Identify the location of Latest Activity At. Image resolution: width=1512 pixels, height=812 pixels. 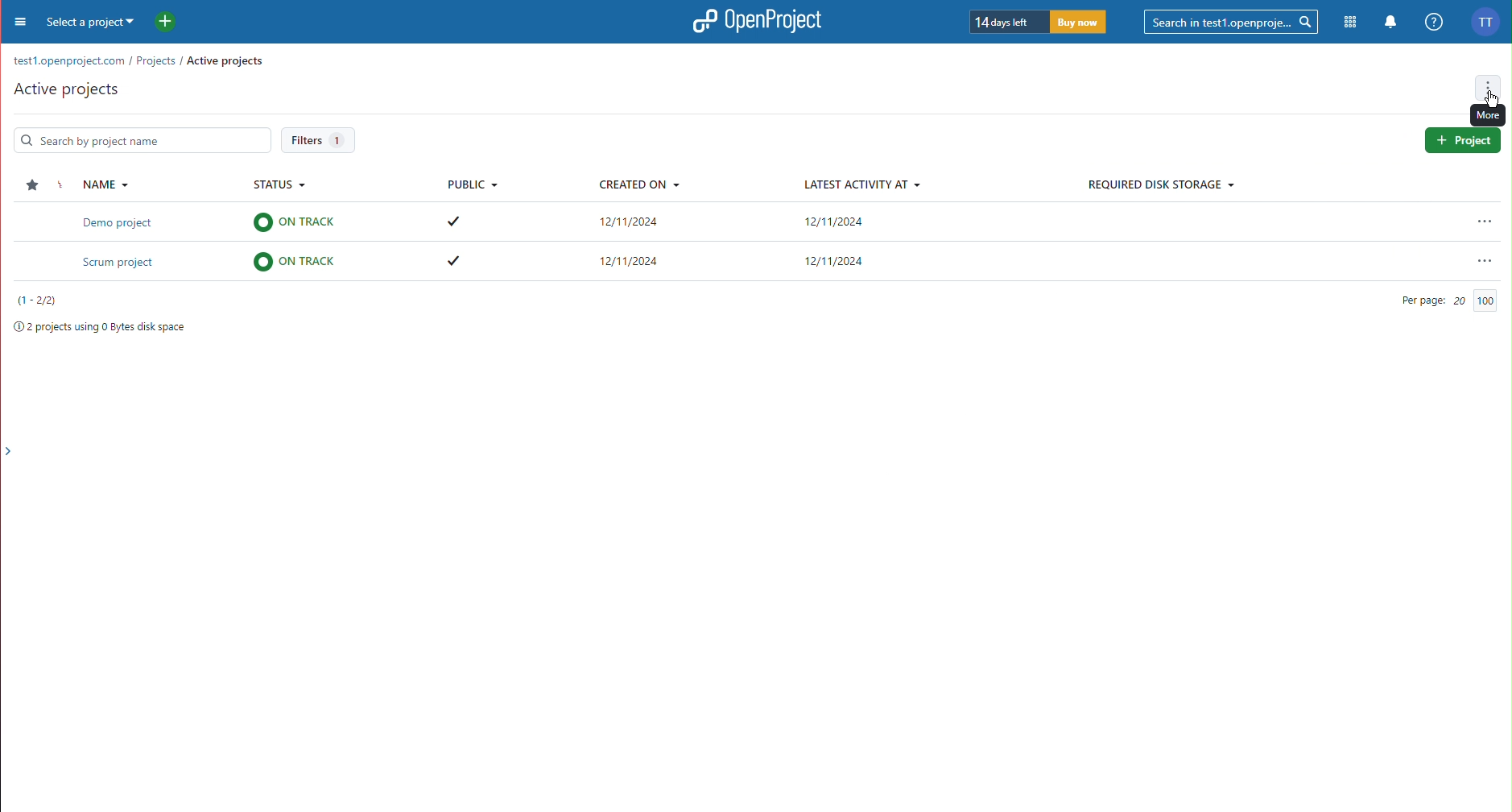
(862, 186).